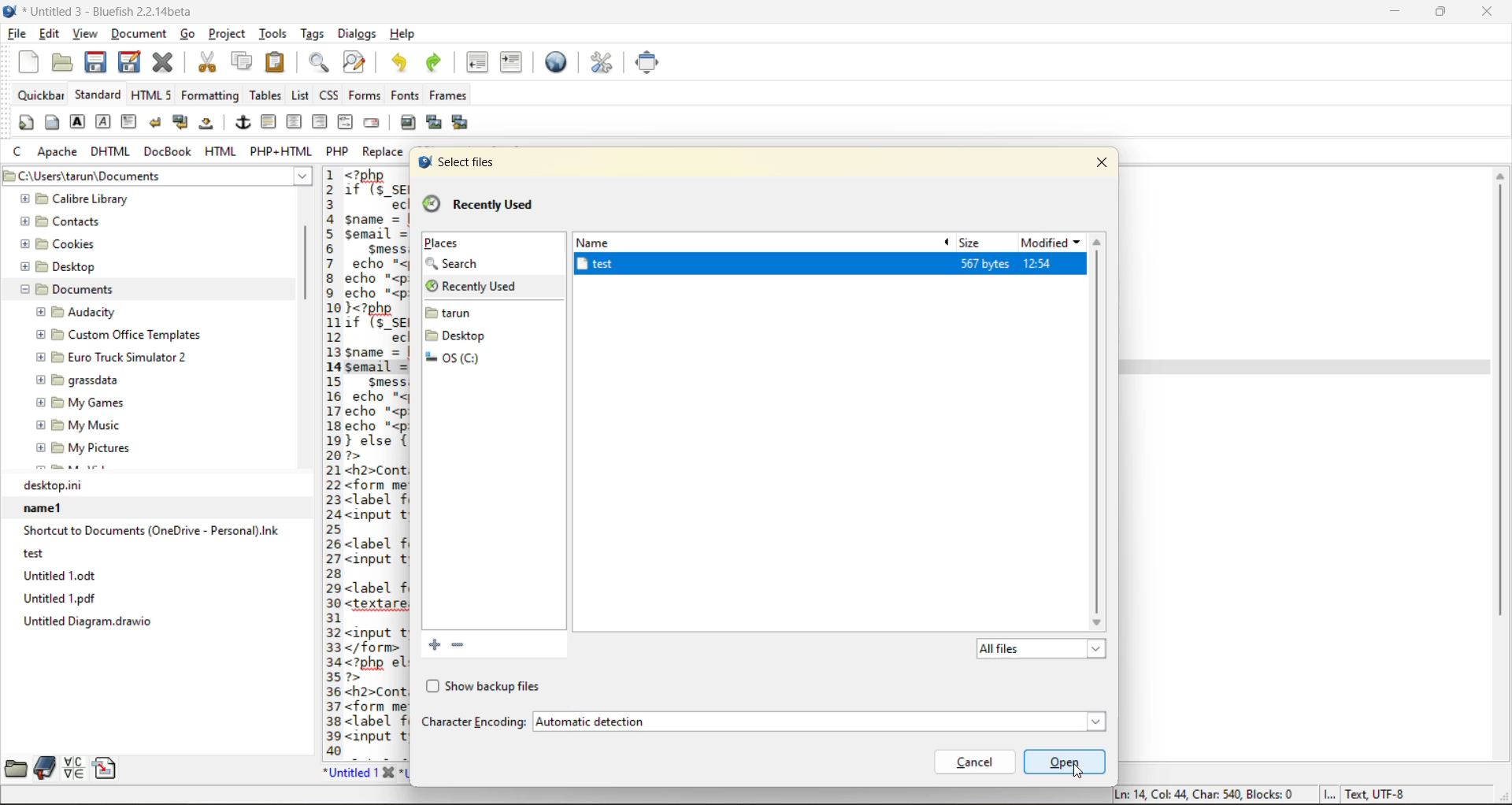  What do you see at coordinates (647, 265) in the screenshot?
I see `selected file` at bounding box center [647, 265].